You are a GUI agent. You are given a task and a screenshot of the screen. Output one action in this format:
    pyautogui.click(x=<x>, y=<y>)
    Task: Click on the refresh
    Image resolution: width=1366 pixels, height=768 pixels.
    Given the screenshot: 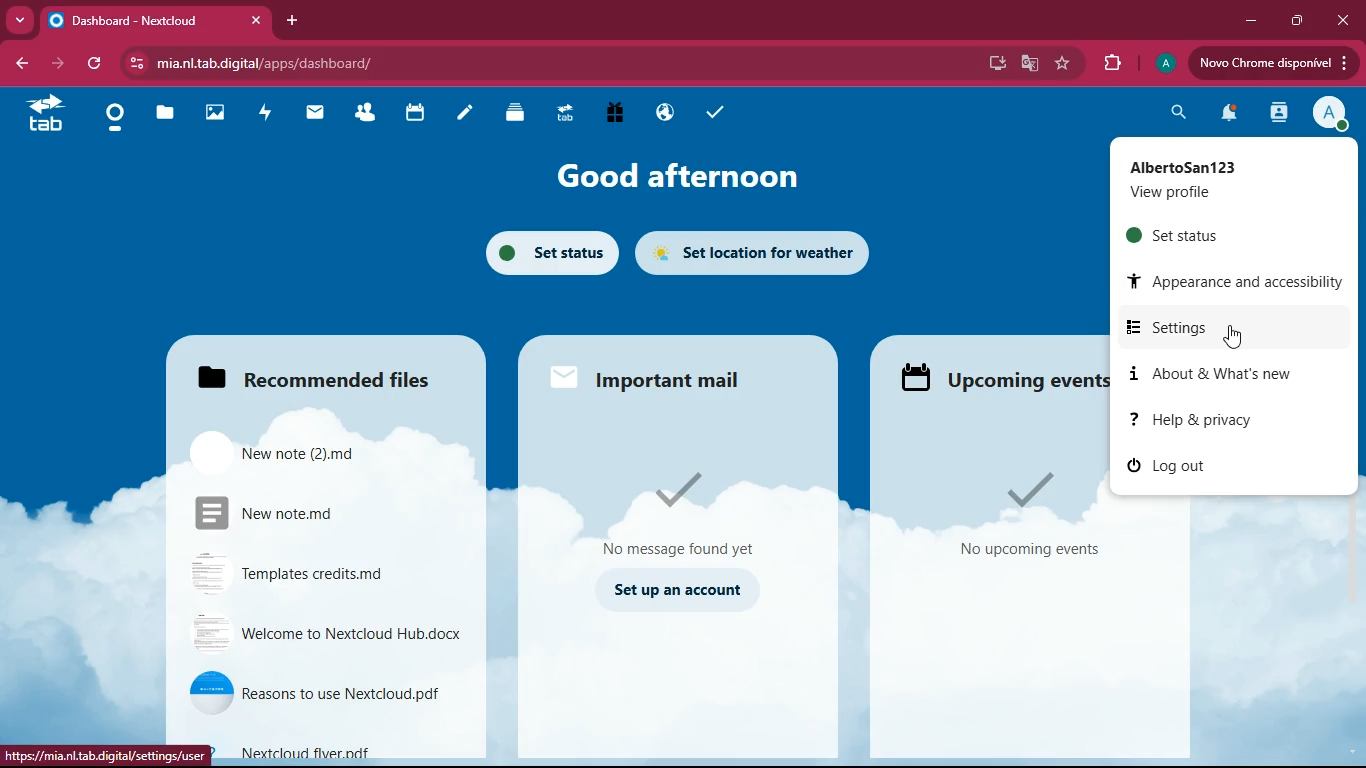 What is the action you would take?
    pyautogui.click(x=95, y=65)
    